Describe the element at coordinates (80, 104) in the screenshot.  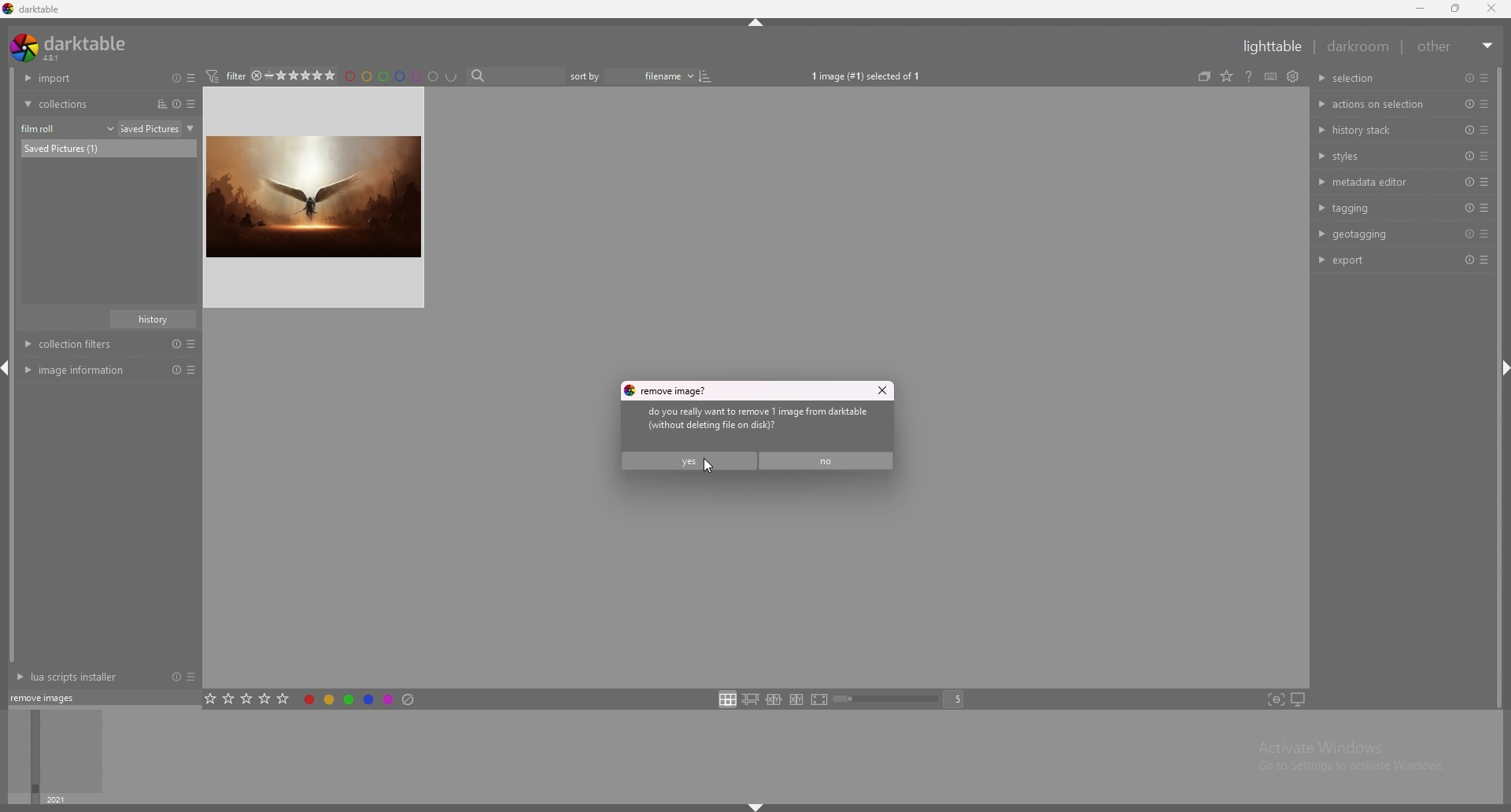
I see `collections` at that location.